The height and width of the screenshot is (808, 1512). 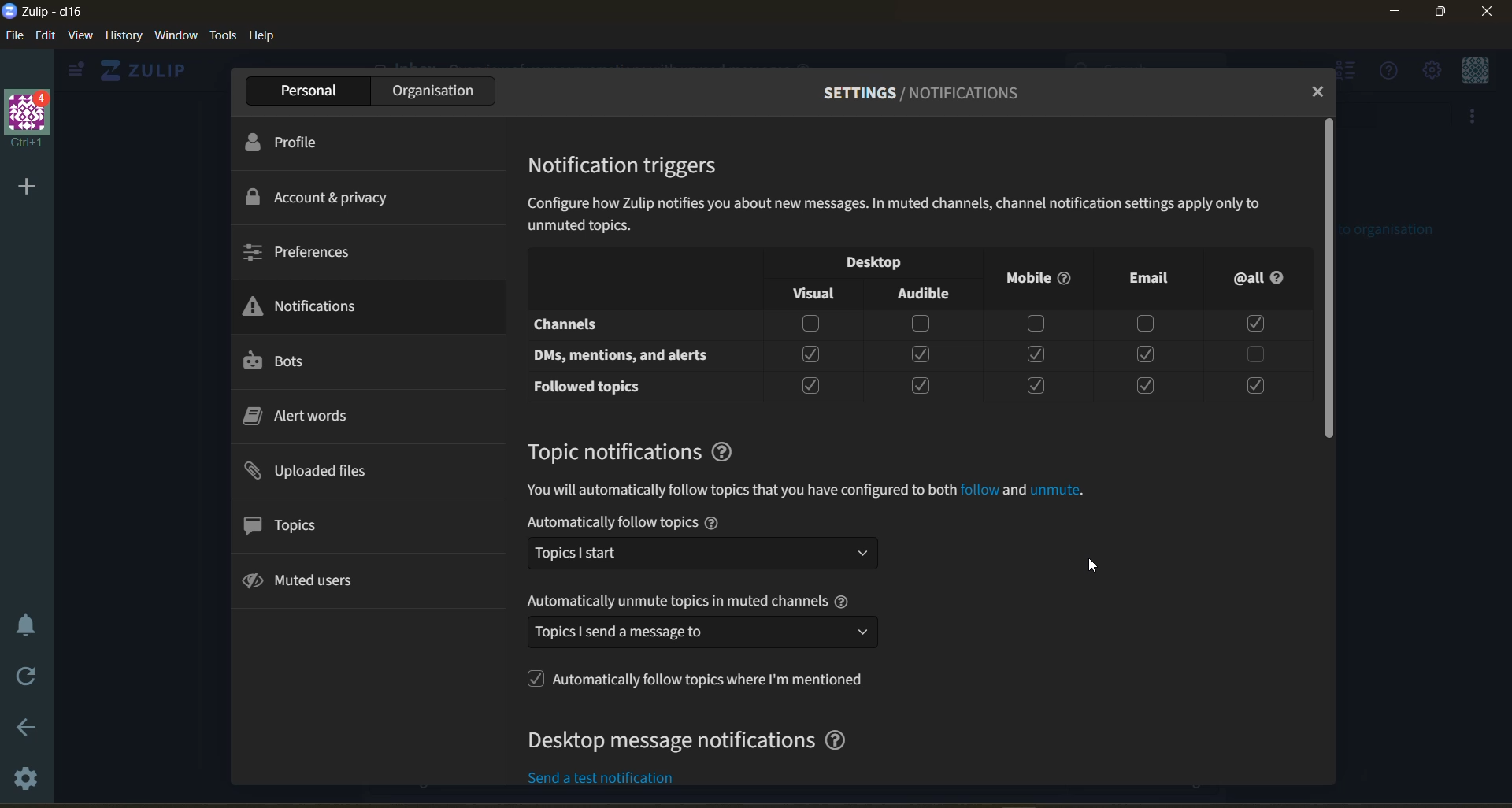 What do you see at coordinates (812, 293) in the screenshot?
I see `Visual` at bounding box center [812, 293].